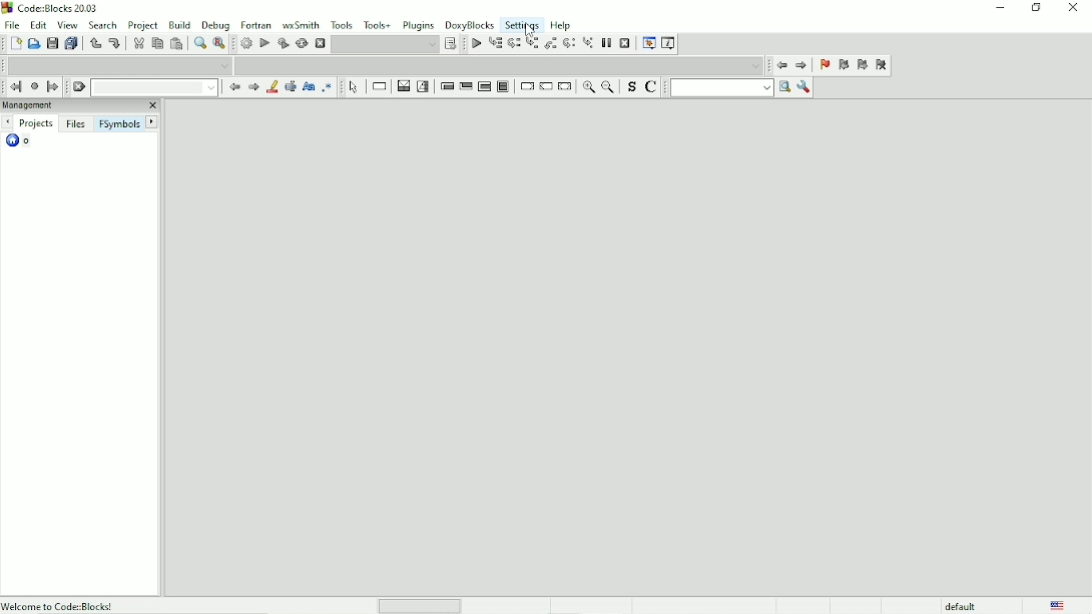 Image resolution: width=1092 pixels, height=614 pixels. I want to click on Management, so click(82, 106).